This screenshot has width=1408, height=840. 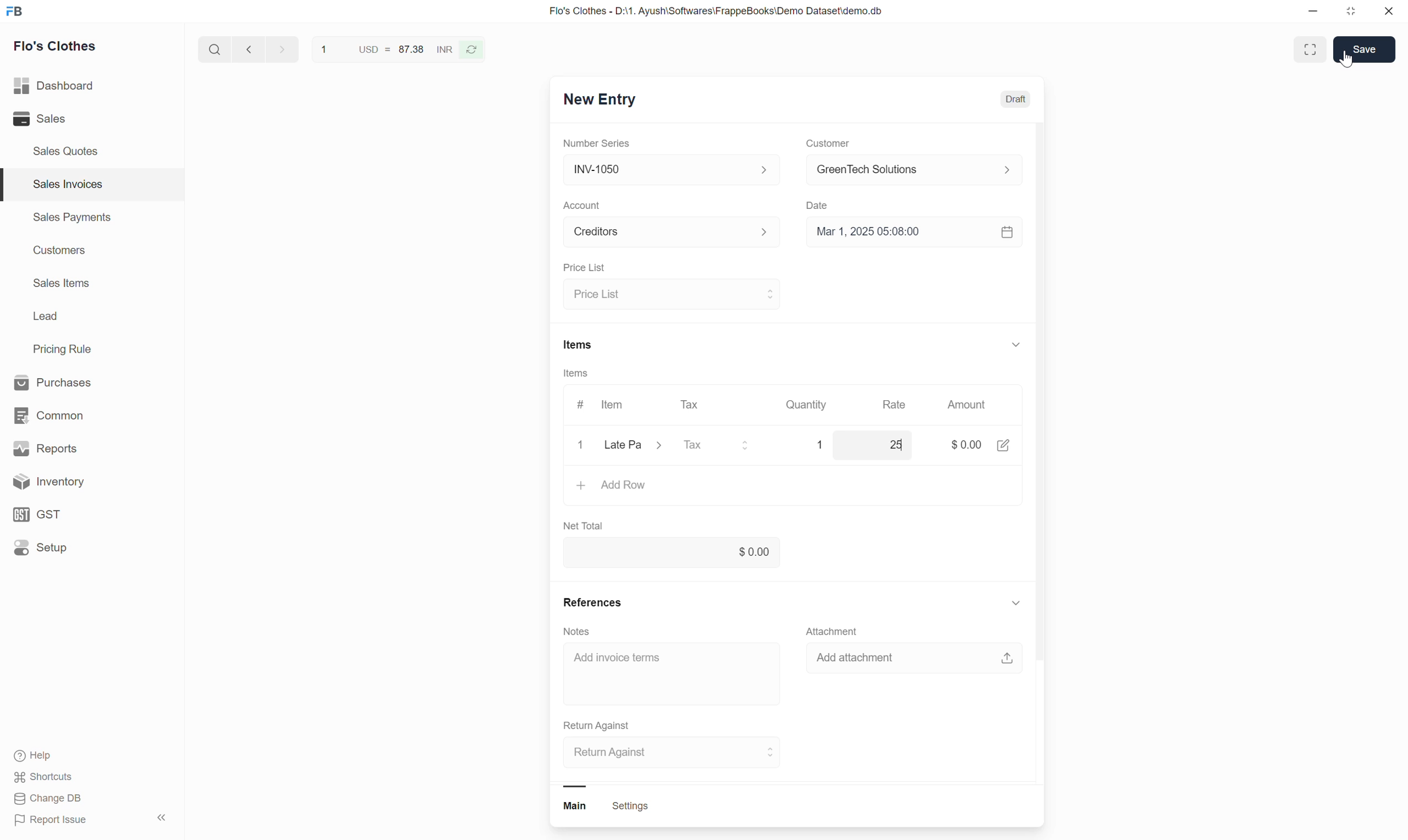 What do you see at coordinates (66, 151) in the screenshot?
I see `Sales Quotes` at bounding box center [66, 151].